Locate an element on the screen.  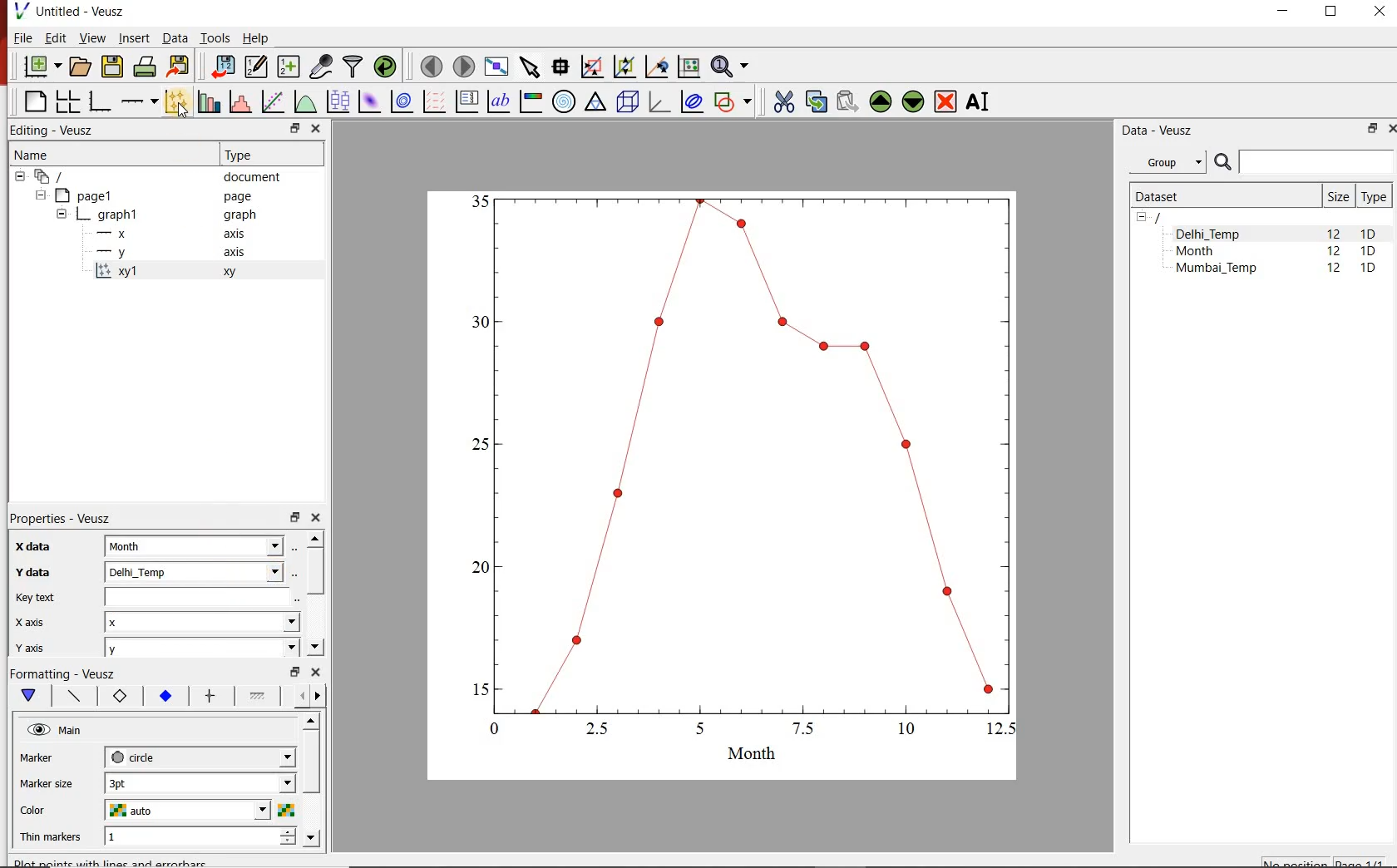
move to the previous page is located at coordinates (431, 66).